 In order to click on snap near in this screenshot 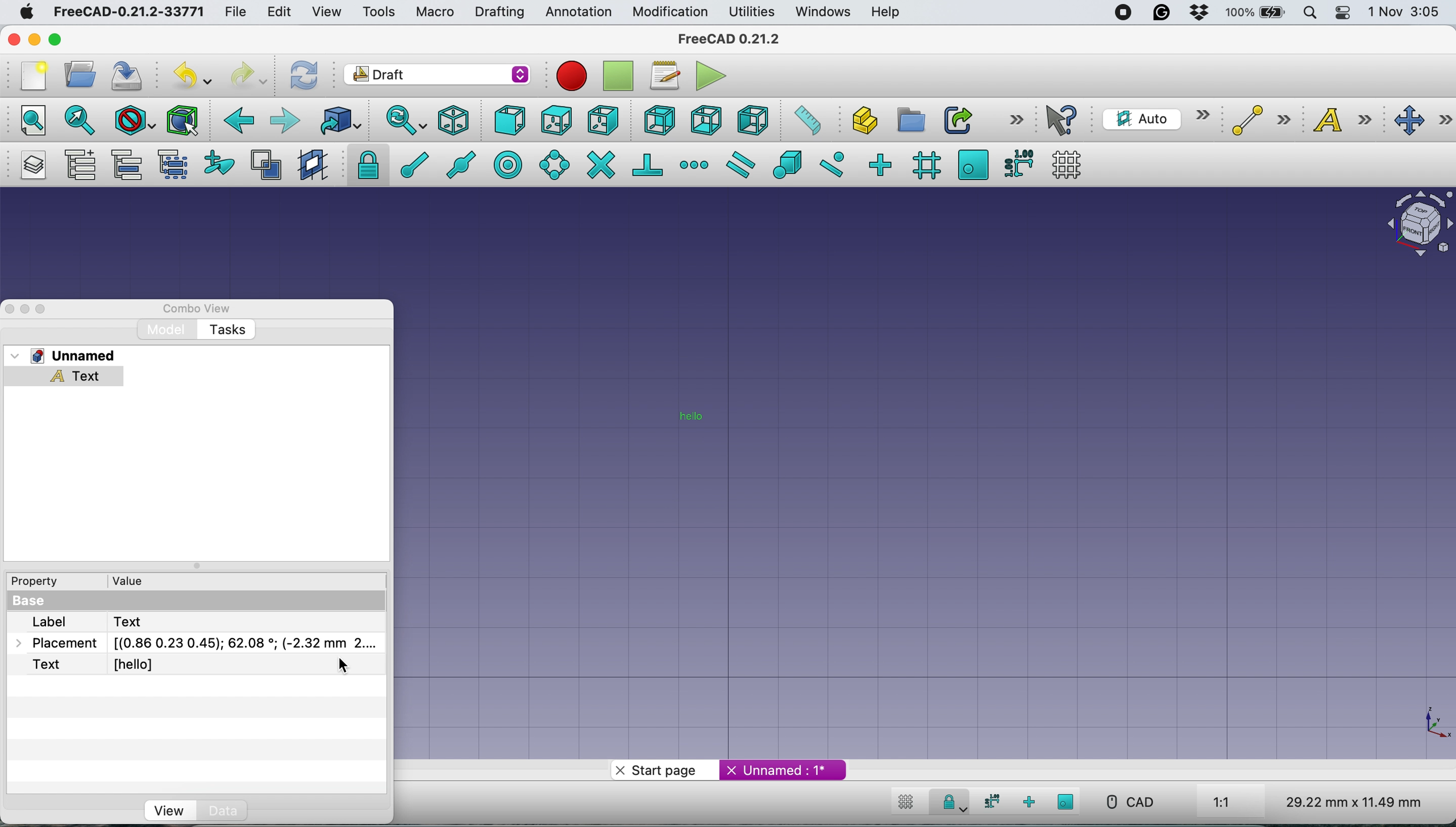, I will do `click(830, 165)`.